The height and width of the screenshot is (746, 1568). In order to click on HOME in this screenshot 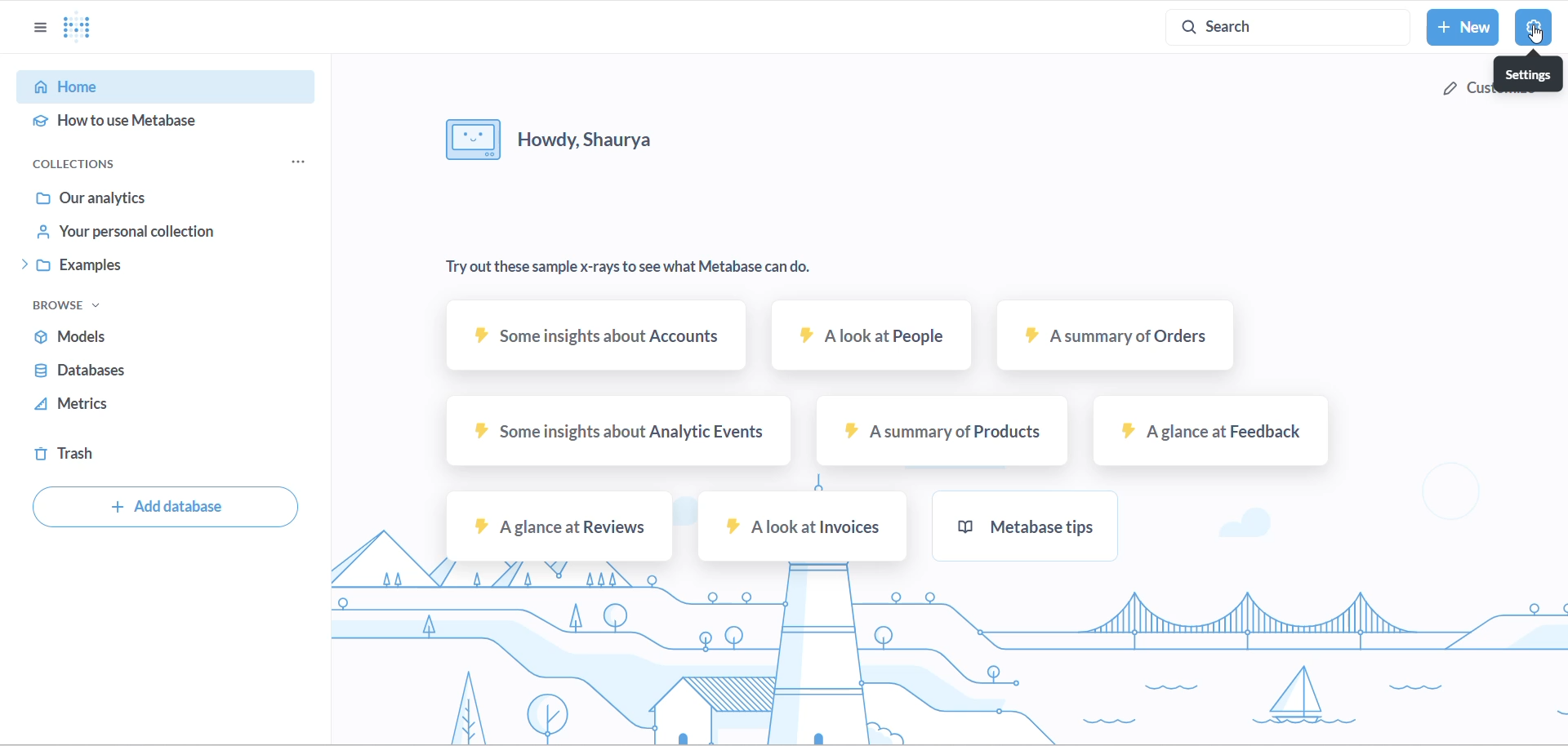, I will do `click(144, 87)`.